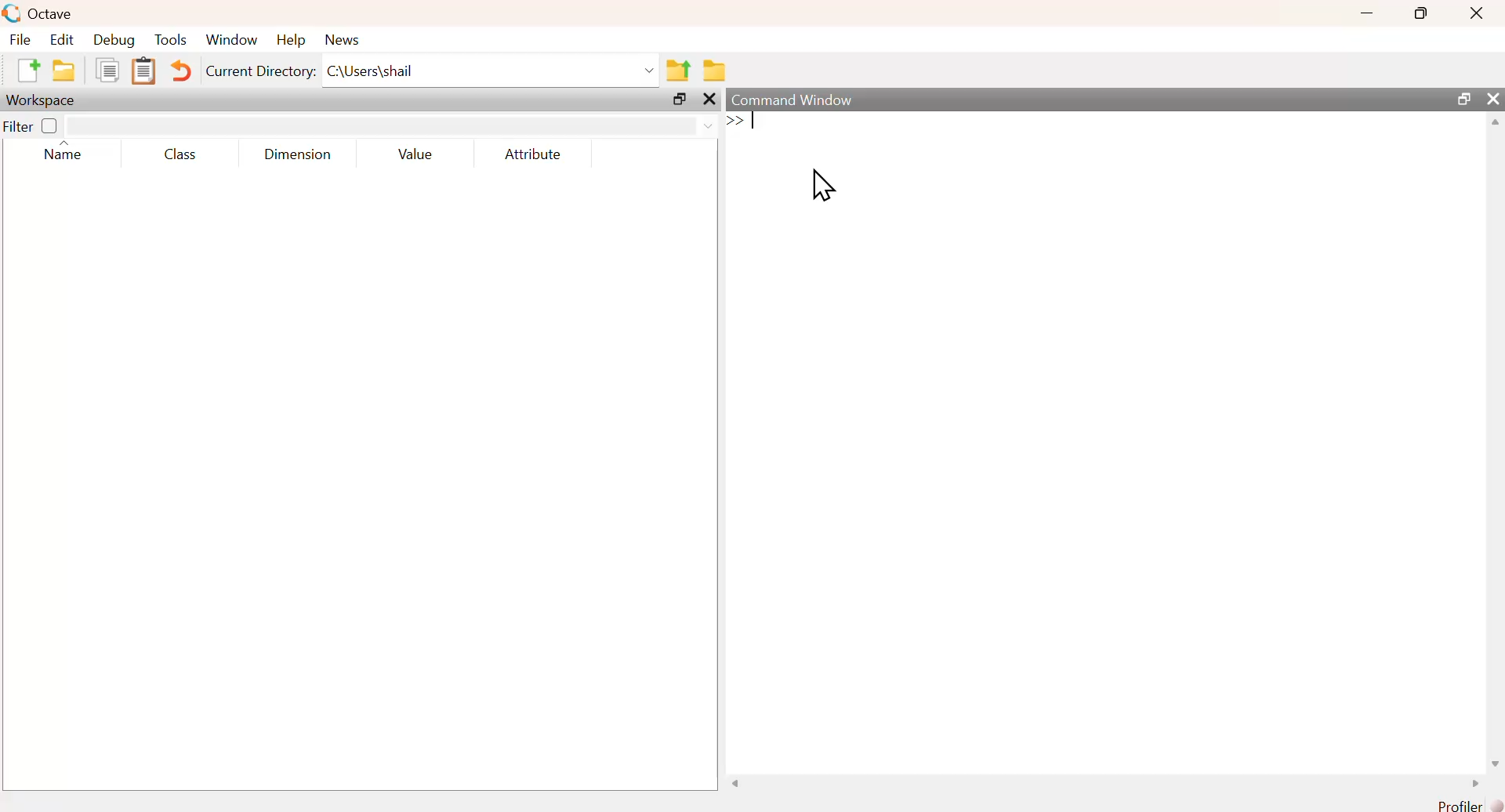 This screenshot has width=1505, height=812. Describe the element at coordinates (61, 40) in the screenshot. I see `Edit` at that location.